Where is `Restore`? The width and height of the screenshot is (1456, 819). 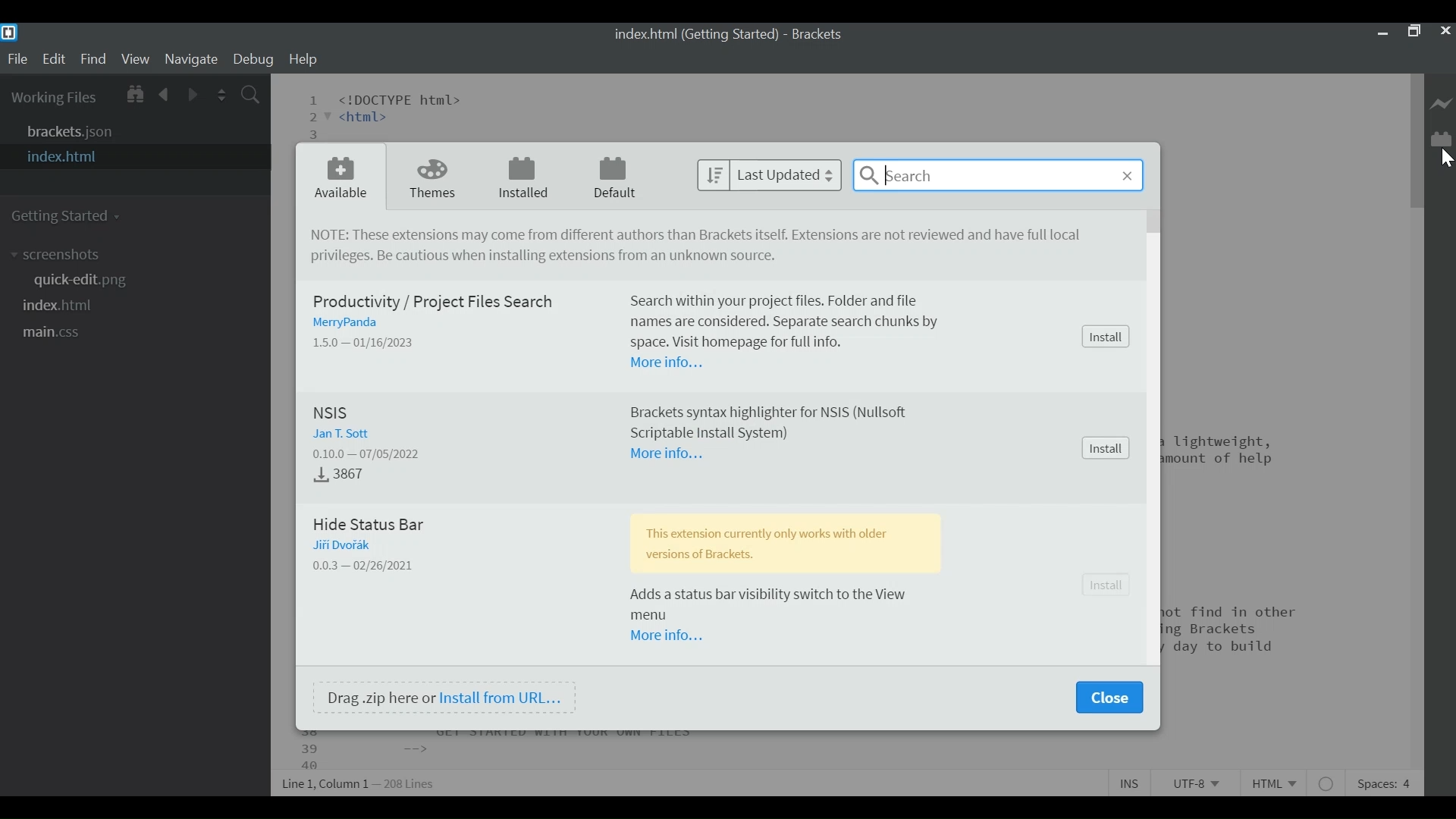 Restore is located at coordinates (1414, 33).